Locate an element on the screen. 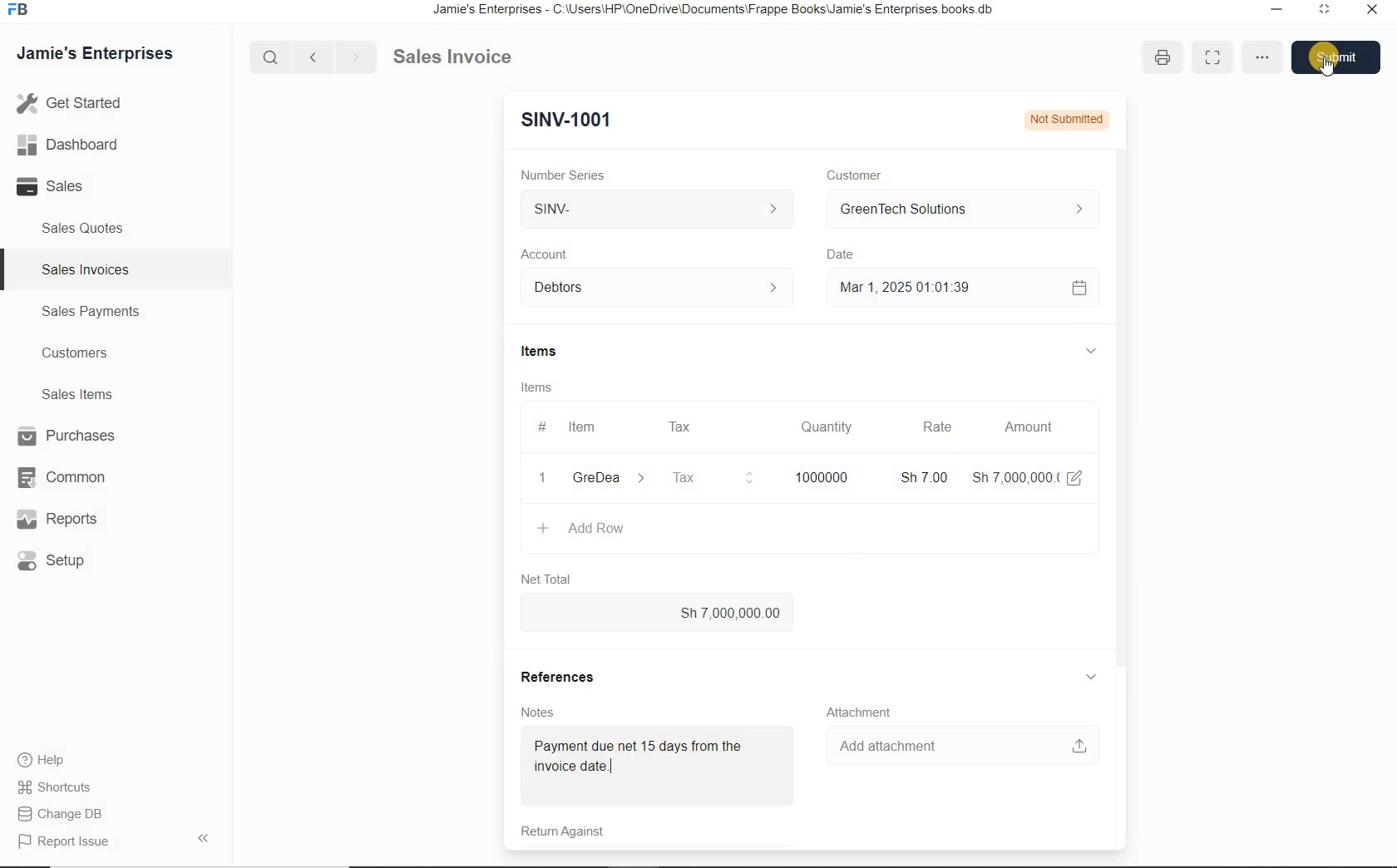 The width and height of the screenshot is (1397, 868). Sh 7,000,000.00 is located at coordinates (658, 613).